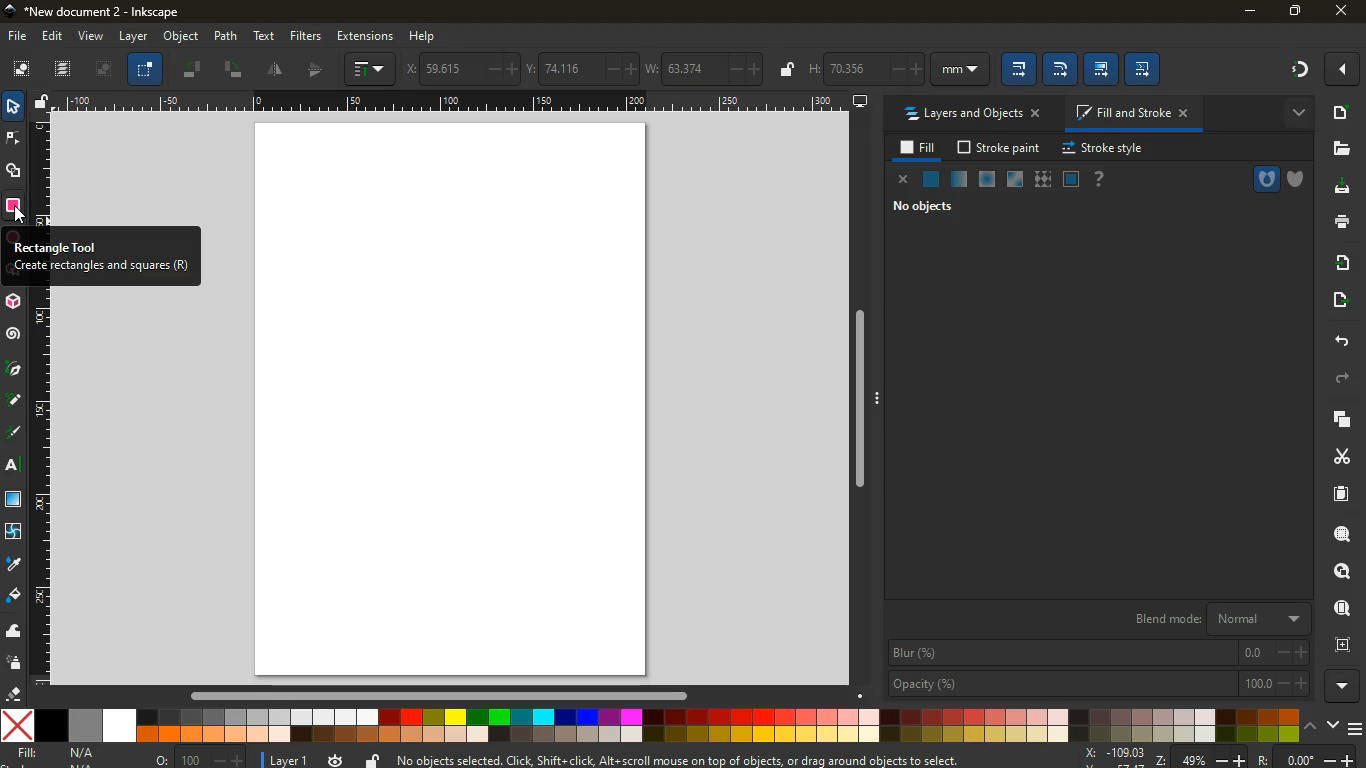  What do you see at coordinates (182, 37) in the screenshot?
I see `object` at bounding box center [182, 37].